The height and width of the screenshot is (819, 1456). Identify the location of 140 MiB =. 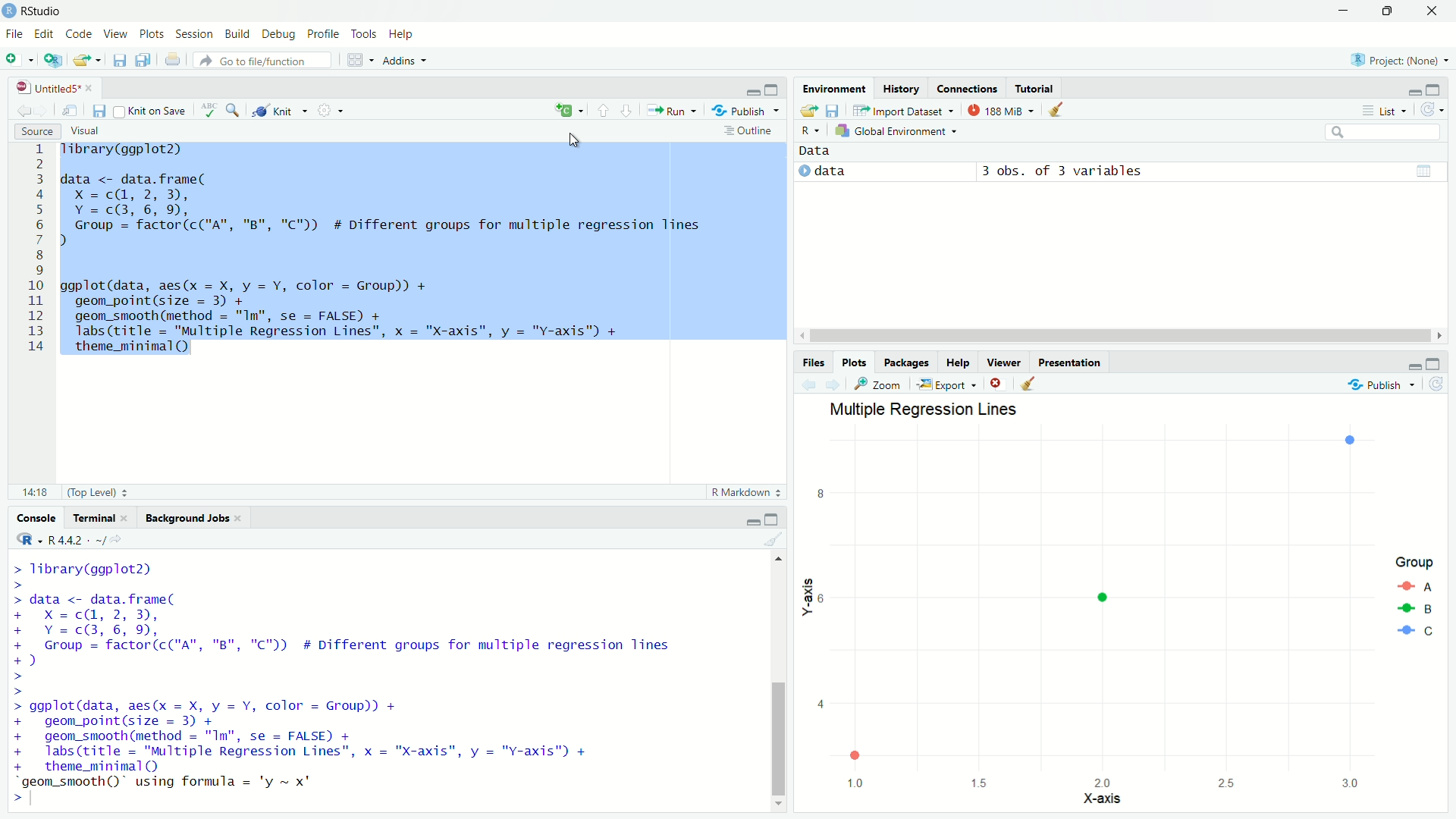
(999, 110).